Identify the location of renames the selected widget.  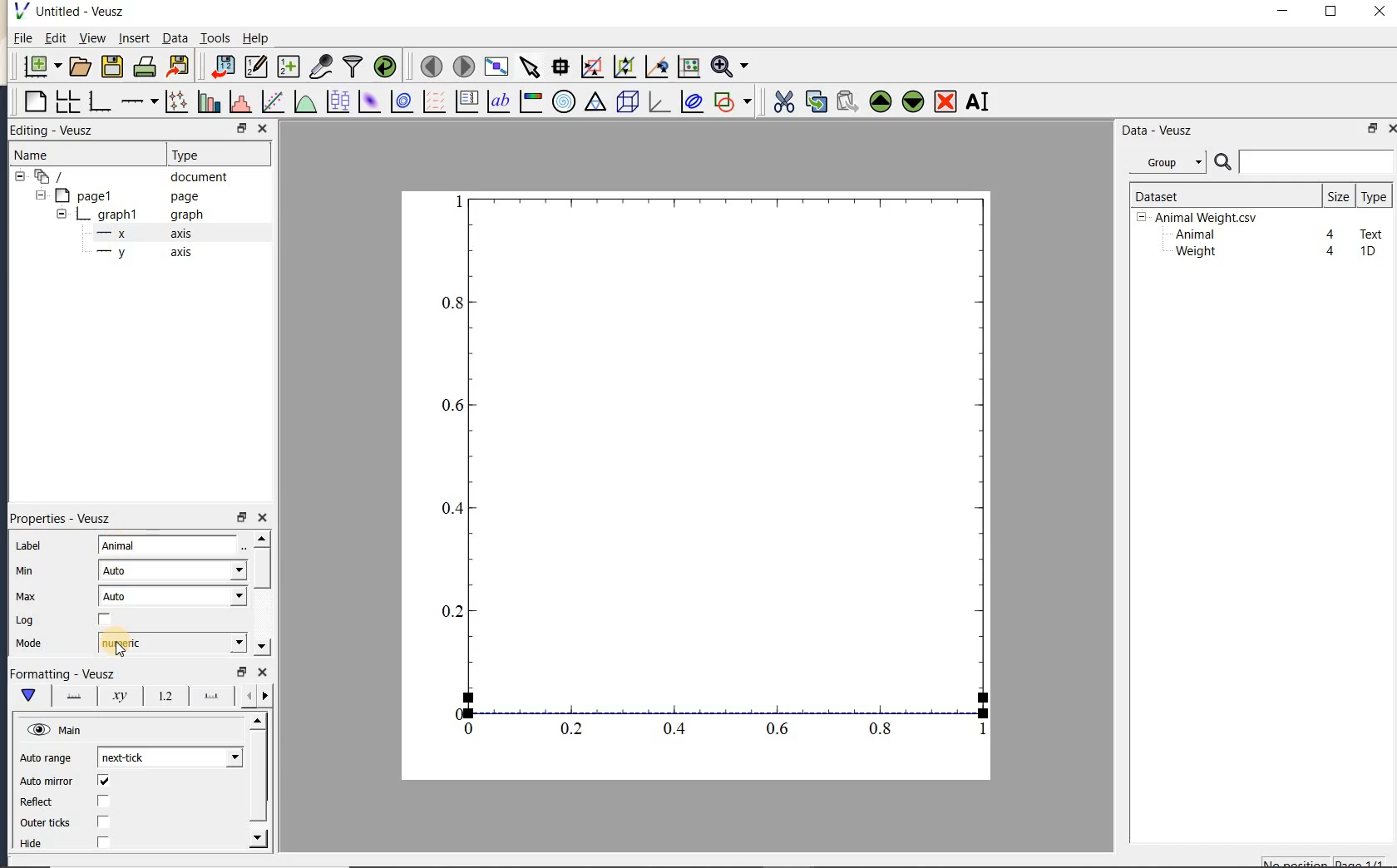
(976, 101).